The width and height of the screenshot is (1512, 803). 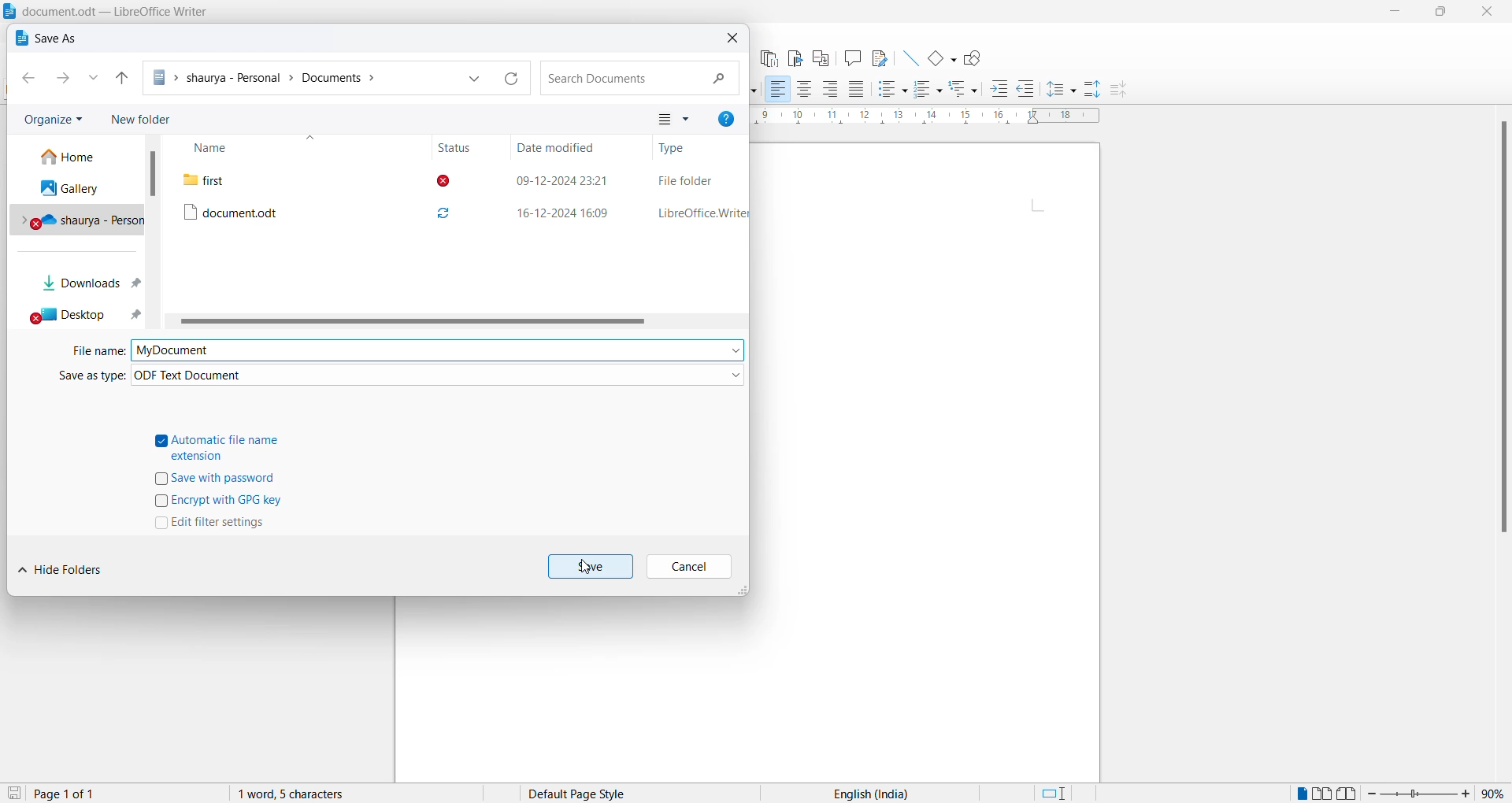 I want to click on Show track changes function, so click(x=880, y=58).